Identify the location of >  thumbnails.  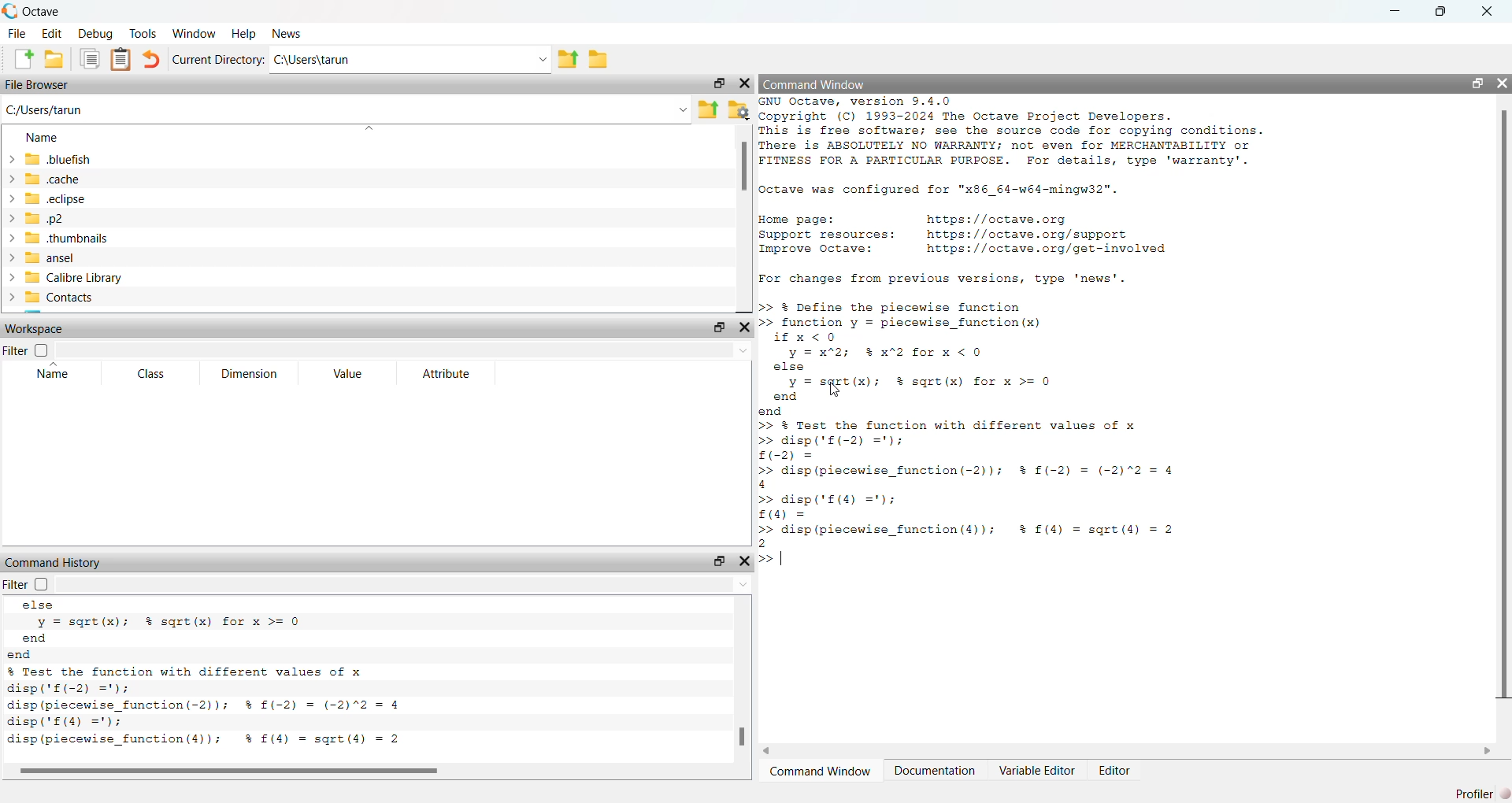
(58, 239).